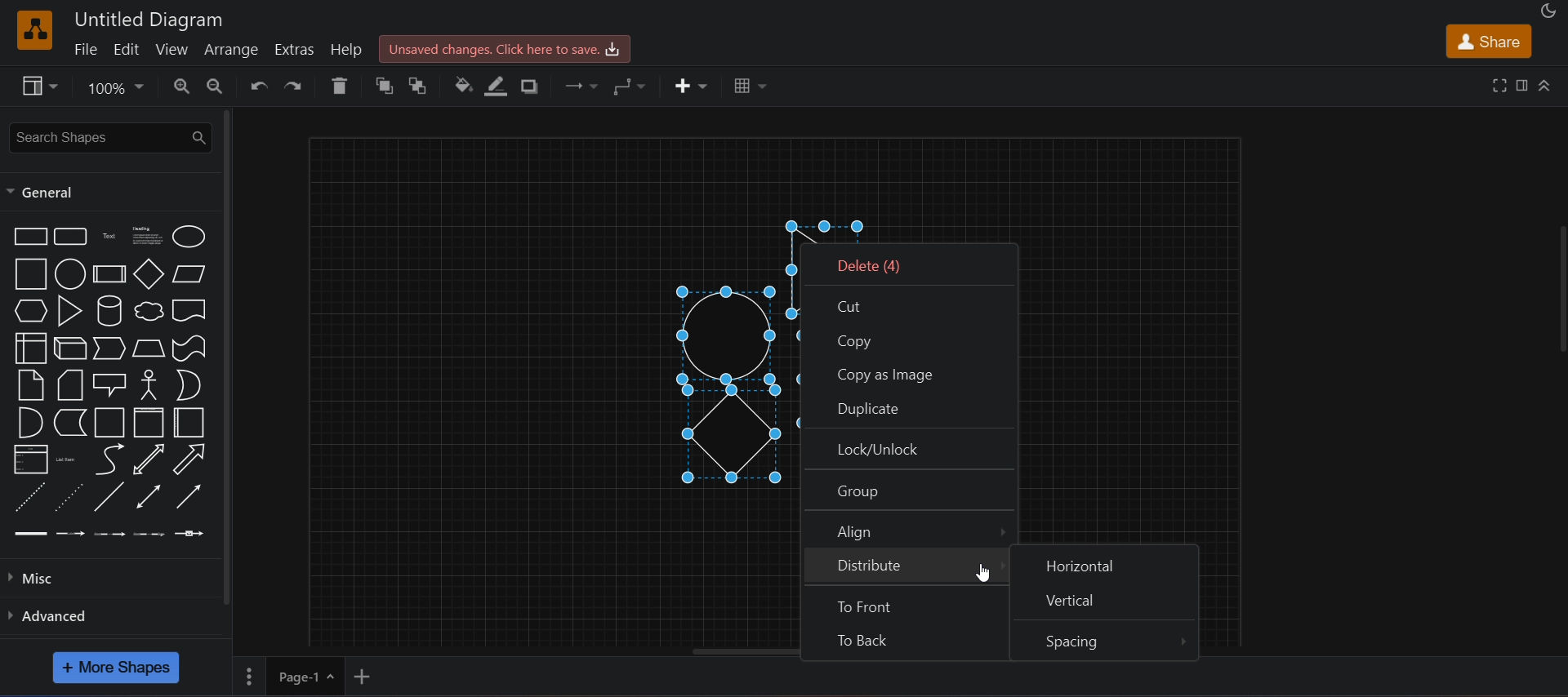  I want to click on arrange, so click(234, 49).